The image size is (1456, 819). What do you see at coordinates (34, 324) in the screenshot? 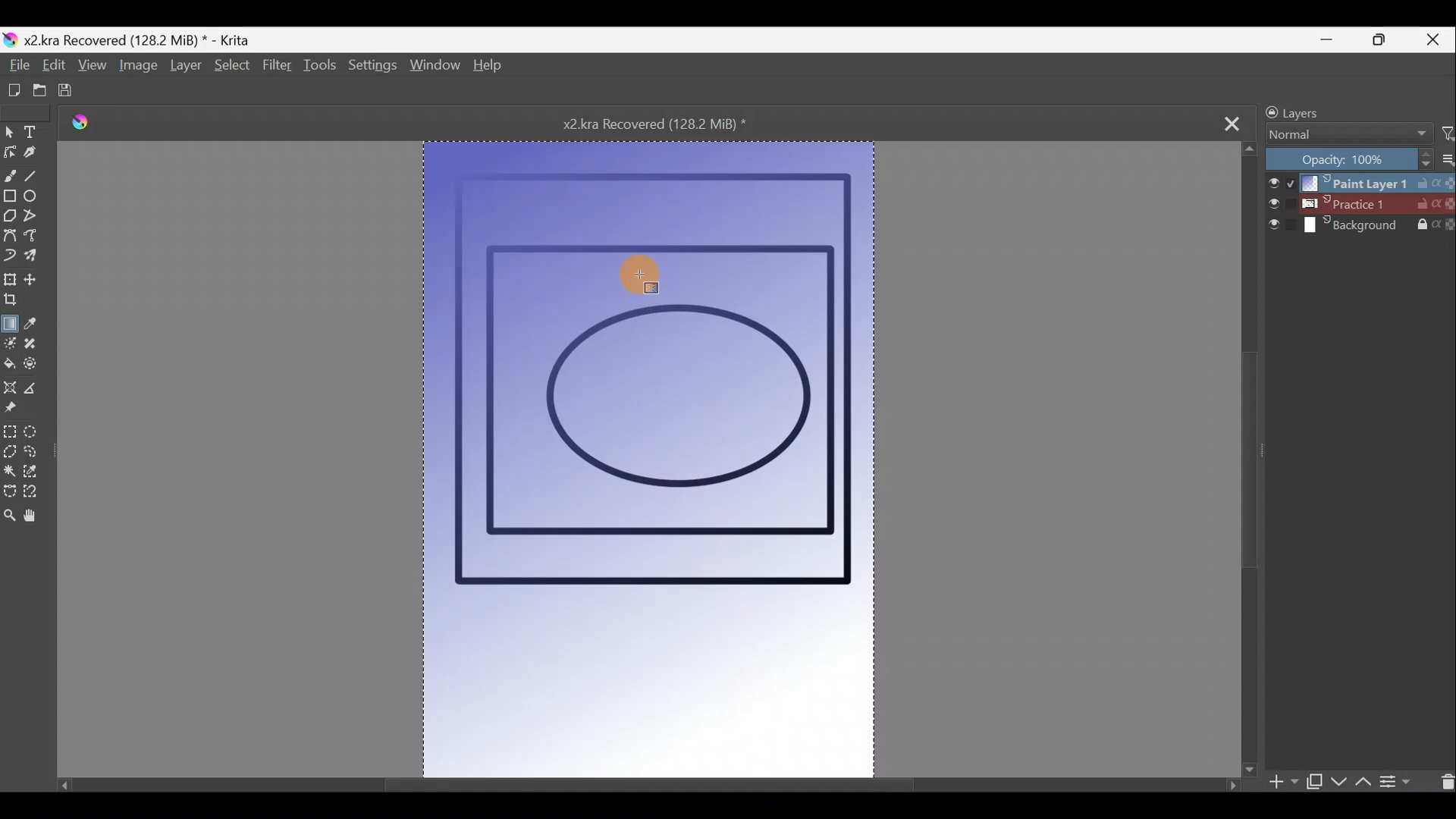
I see `Sample a colour from the image/current layer` at bounding box center [34, 324].